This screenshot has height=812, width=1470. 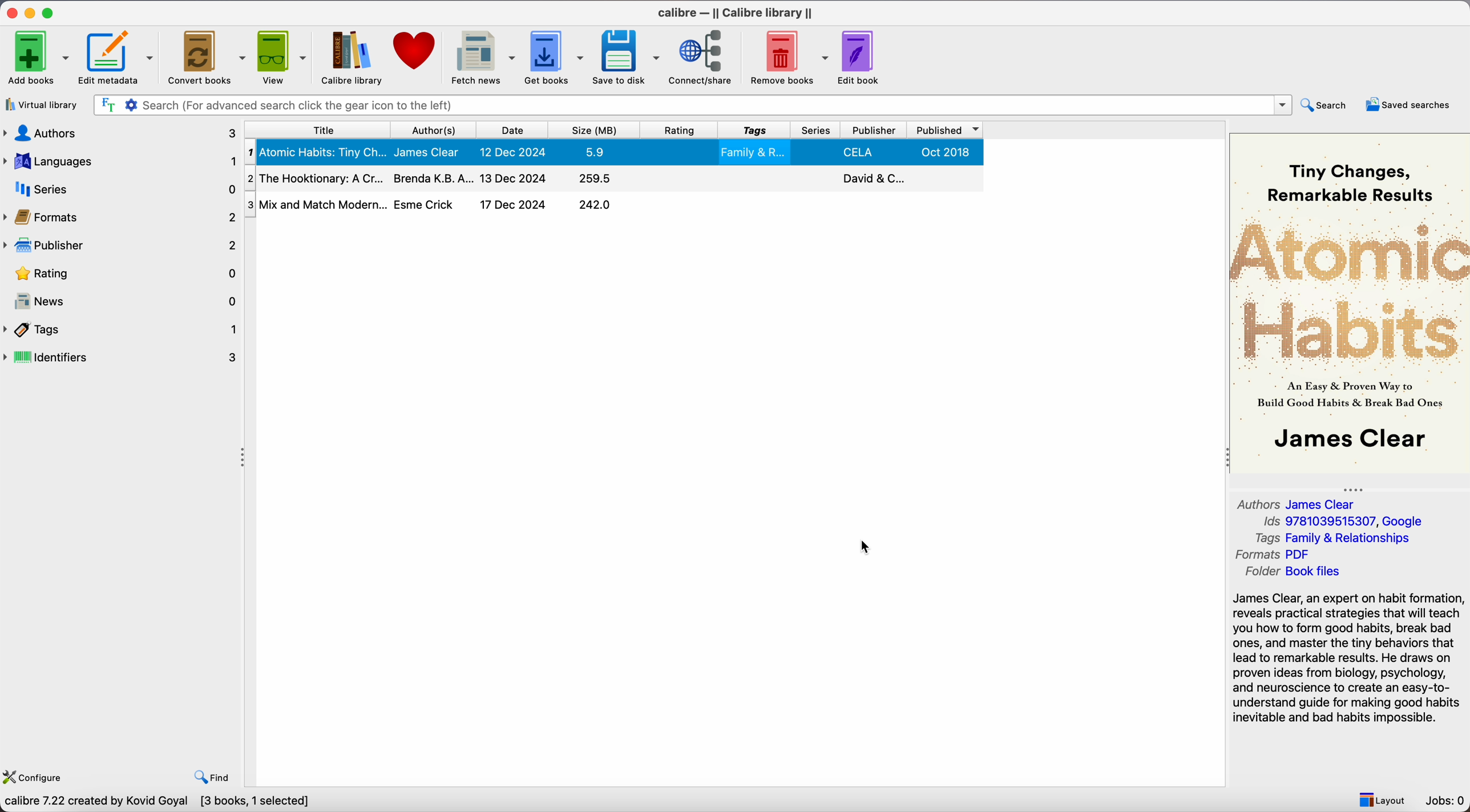 I want to click on Tags Family & Relationships, so click(x=1330, y=538).